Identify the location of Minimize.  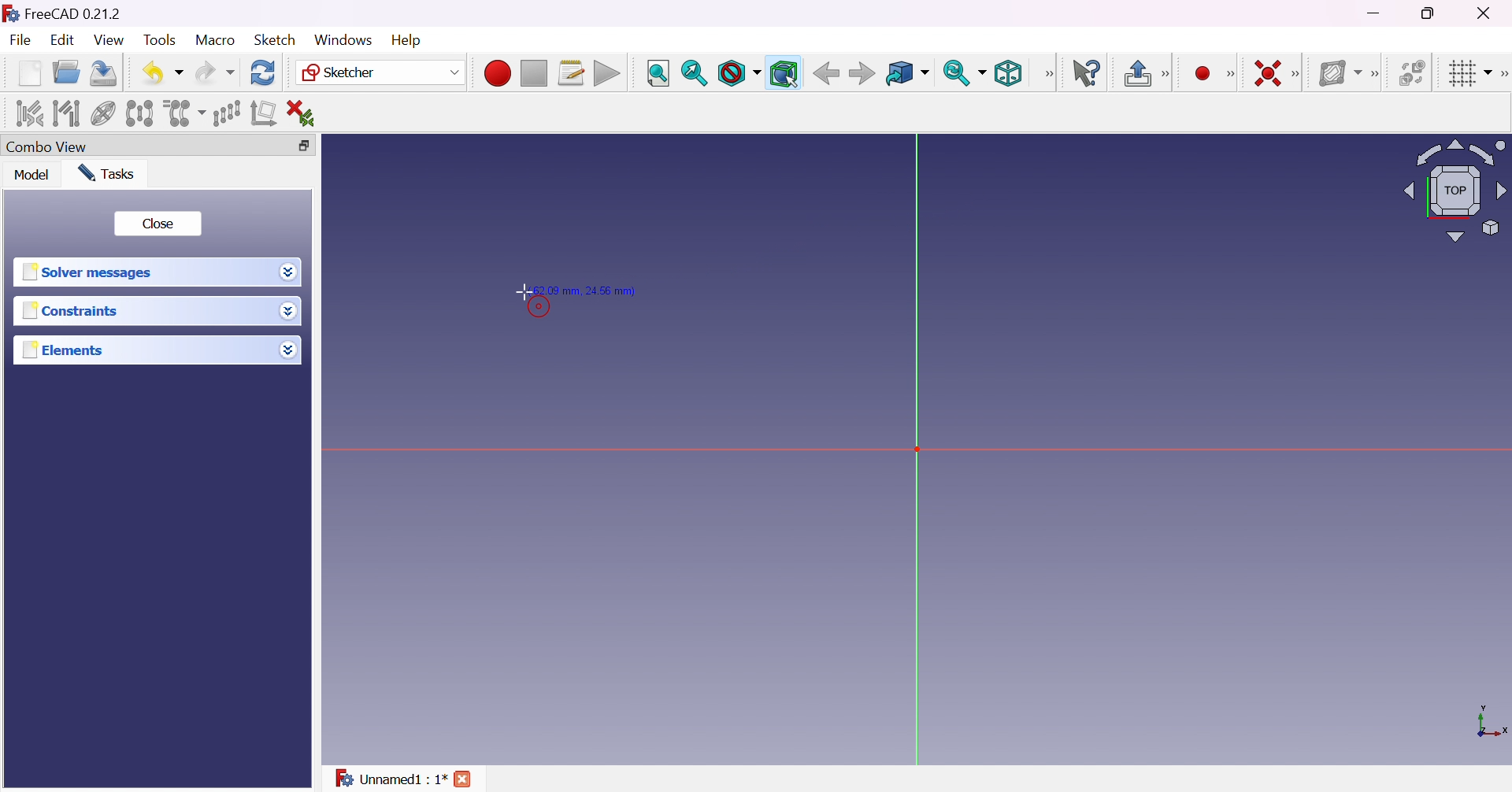
(1377, 13).